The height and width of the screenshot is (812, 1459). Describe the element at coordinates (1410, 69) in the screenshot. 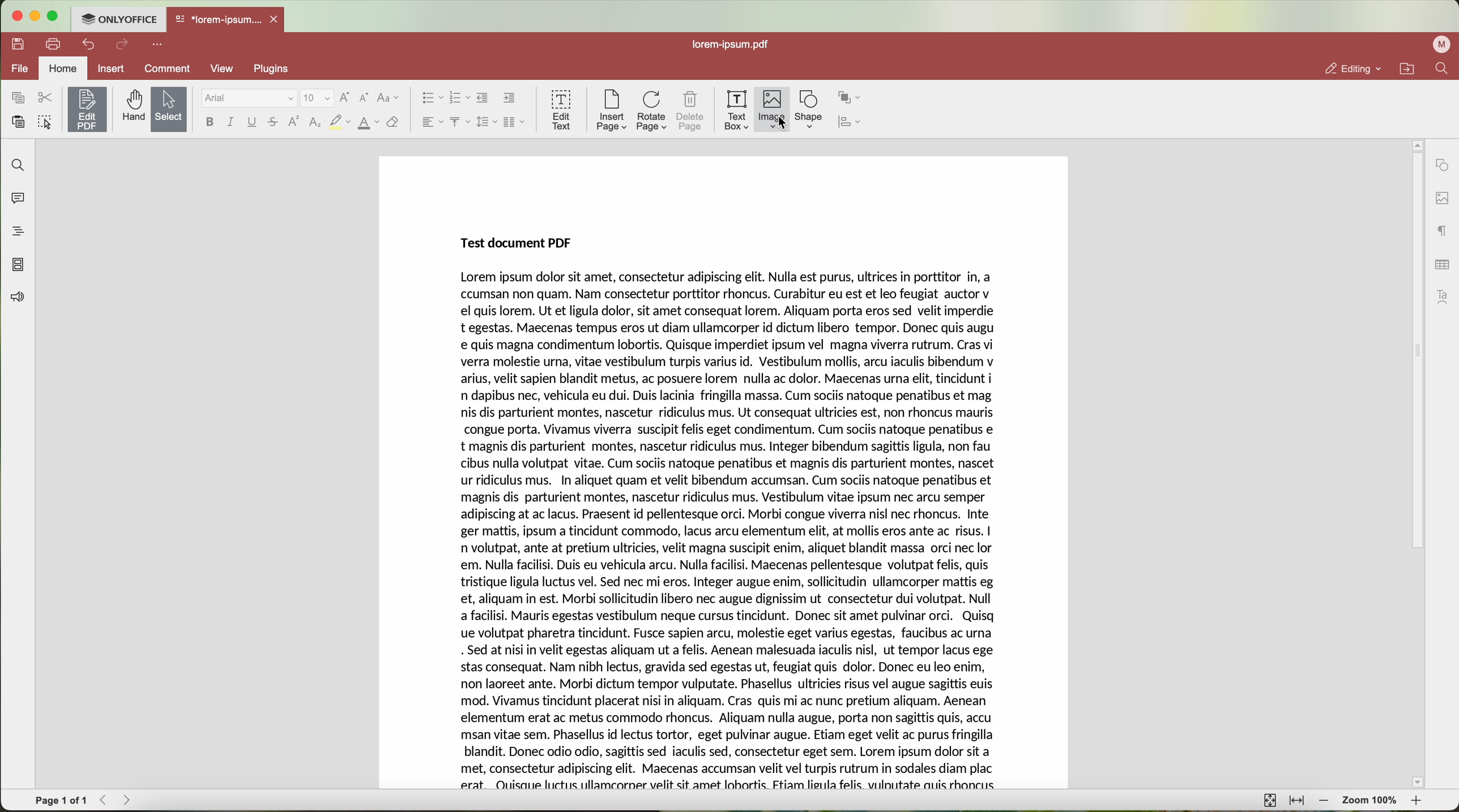

I see `open file location` at that location.